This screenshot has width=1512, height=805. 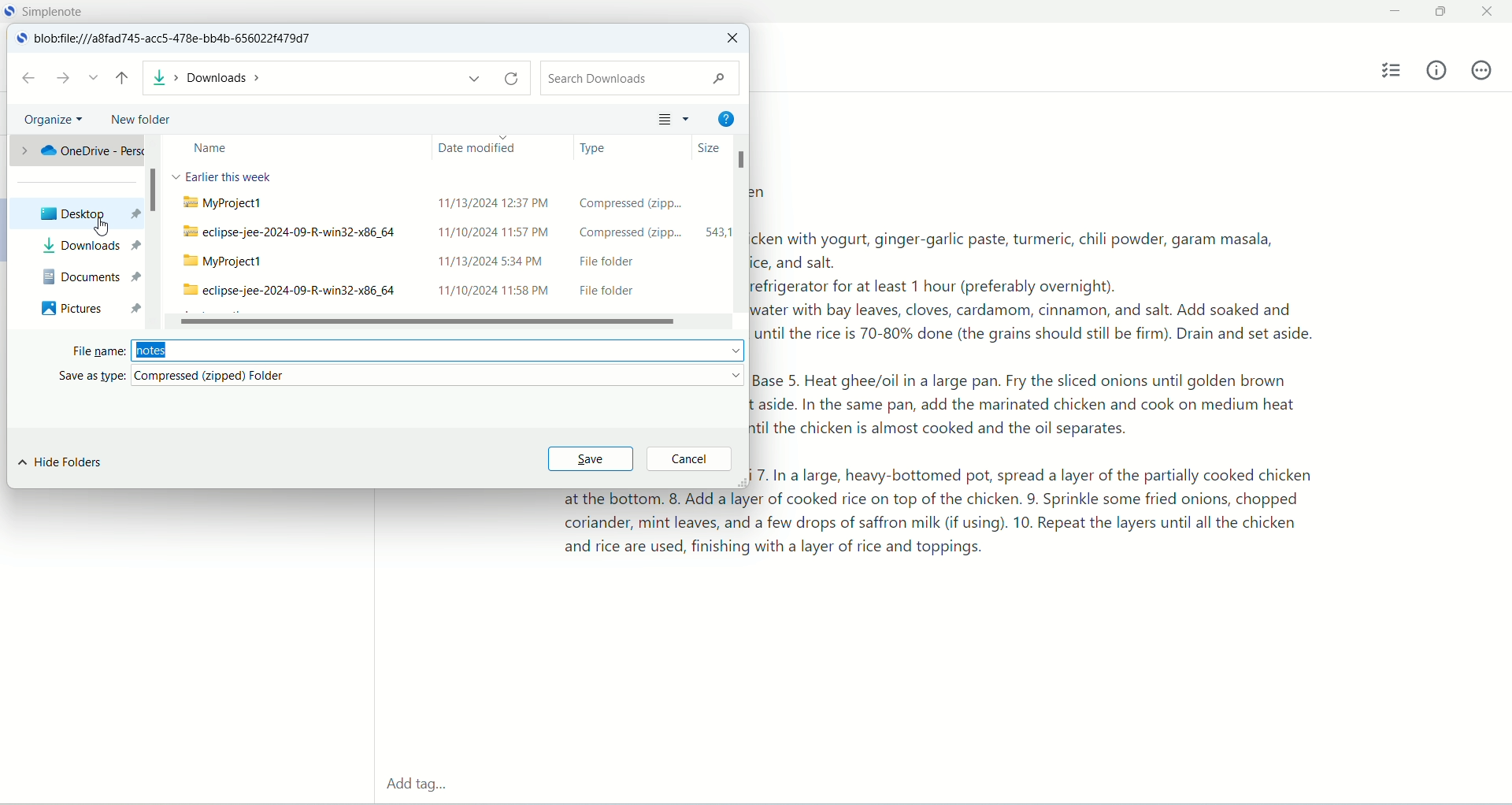 I want to click on location, so click(x=178, y=39).